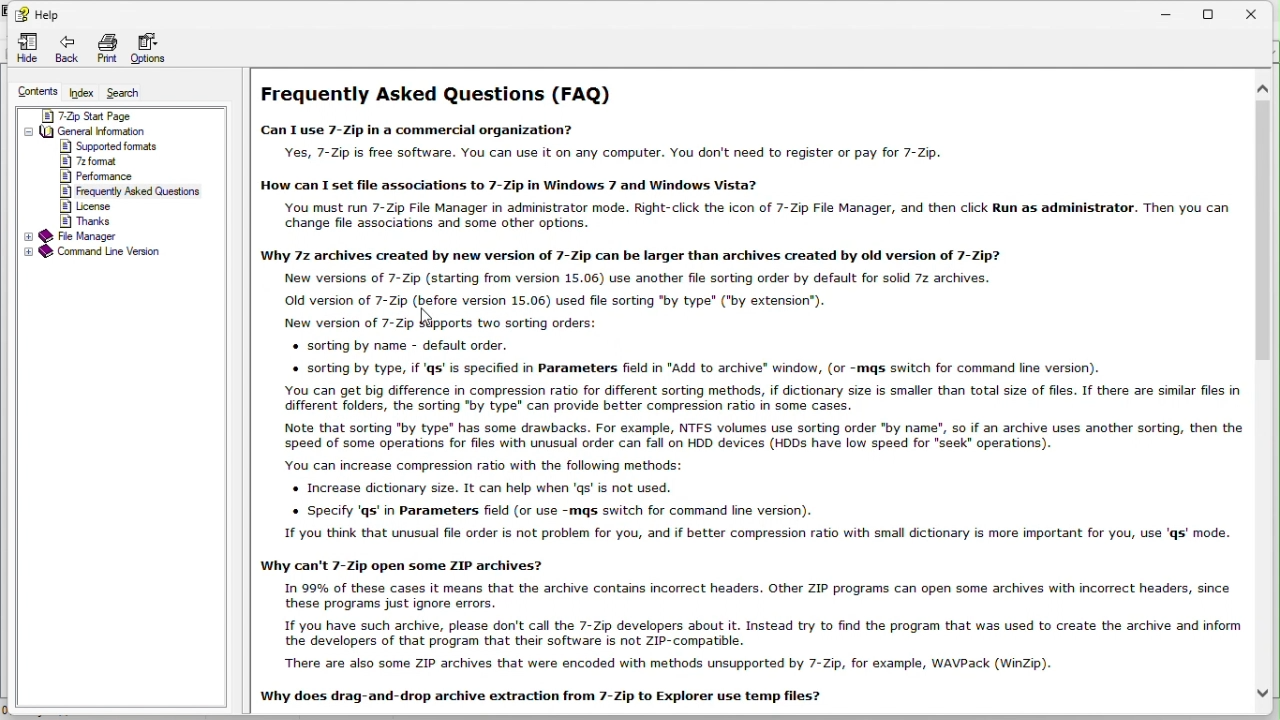 This screenshot has width=1280, height=720. I want to click on Frequently Asked Questions (FAQ)
Can I use 7-Zip in a commercial organization?
Yes, 7-Zip is free software. You can use it on any computer. You don't need to register or pay for 7-Zip.
How can I set file associations to 7-Zip in Windows 7 and Windows Vista?
You must run 7-Zip File Manager in administrator mode. Right-click the icon of 7-Zip File Manager, and then click Run as administrator. Then you can
change file associations and some other options.
Why 7z archives created by new version of 7-Zip can be larger than archives created by old version of 7-Zip?
New versions of 7-Zip (starting from version 15.06) use another fle sorting order by default for solid 72 archives.
Old version of 7-Zip (before version 15.06) used file sorting "by type" ("by extension”).
New version of 7-Zip Wipports two sorting orders:
« sorting by name - default order.
« sorting by type, if ‘qs’ is specified in Parameters field in "Add to archive” window, (or -mqs switch for command line version).
You can get big difference in compression ratio for different sorting methods, if dictionary size is smaller than total size of files. If there are similar files in
different folders, the sorting "by type" can provide better compression ratio in some cases.
Note that sorting "by type” has some drawbacks. For example, NTFS volumes use sorting order "by name", so if an archive uses another sorting, then the
speed of some operations for files with unusual order can fall on HDD devices (HDDs have low speed for “seek” operations).
You can increase compression ratio with the following methods:
« Increase dictionary size. It can help when 'qs' is not used.
« Specify 'qs’ in Parameters field (or use -mqs switch for command line version).
1f you think that unusual file order is not problem for you, and if better compression ratio with small dictionary is more important for you, use ‘gs’ mode.
Why can't 7-Zip open some ZIP archives?
In 99% of these cases it means that the archive contains incorrect headers. Other ZIP programs can open some archives with incorrect headers, since
these programs just ignore errors.
1f you have such archive, please don't call the 7-Zip developers about it. Instead try to find the program that was used to create the archive and inform
the developers of that program that their software is not ZIP-compatible.
There are also some ZIP archives that were encoded with methods unsupported by 7-Zip, for example, WAVPack (WinZip).
Why does drag-and-drop archive extraction from 7-Zip to Explorer use temp files?, so click(744, 393).